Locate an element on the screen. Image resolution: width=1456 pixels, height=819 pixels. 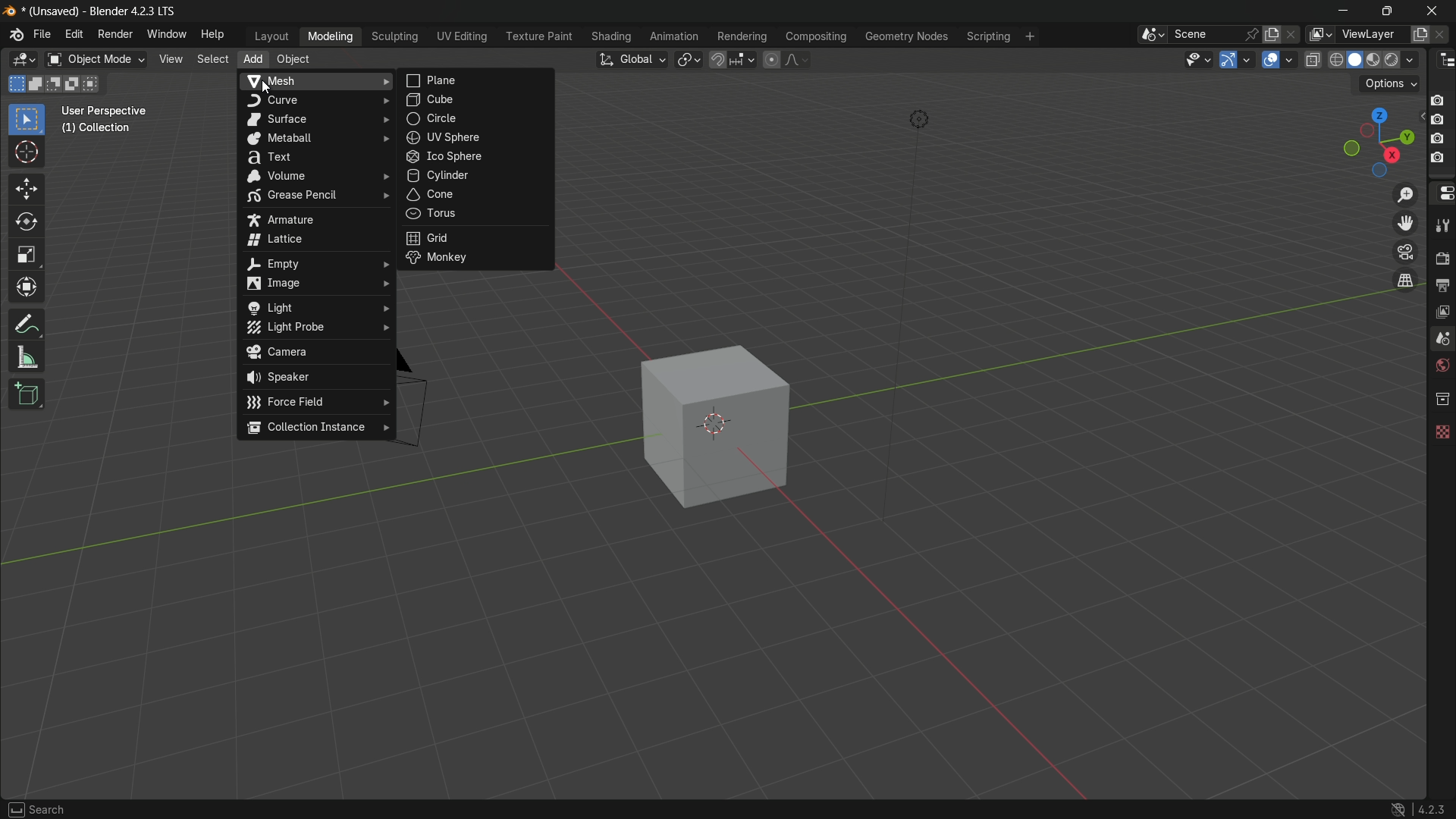
selectability and visibility is located at coordinates (1199, 61).